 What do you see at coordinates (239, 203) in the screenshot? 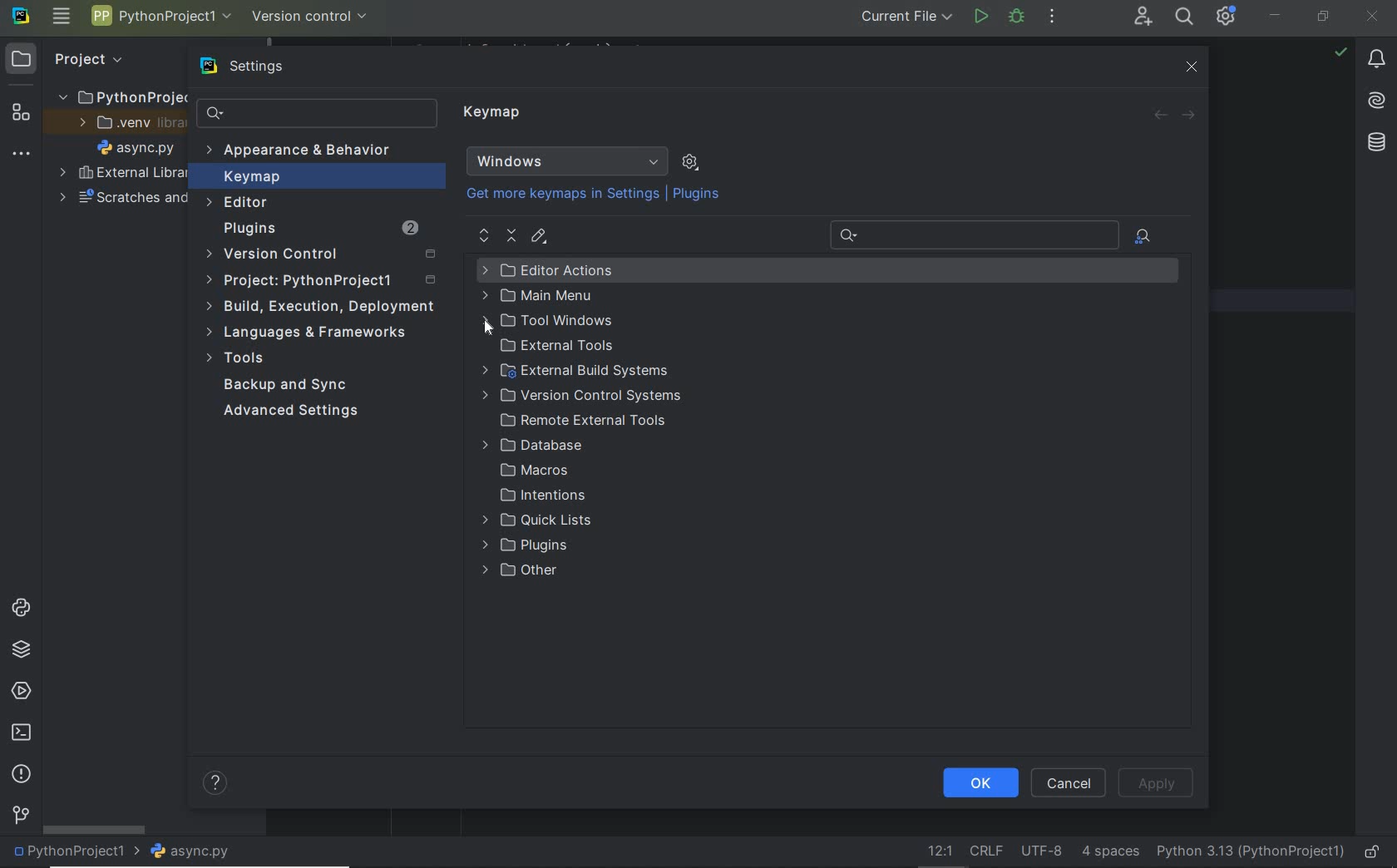
I see `Editor` at bounding box center [239, 203].